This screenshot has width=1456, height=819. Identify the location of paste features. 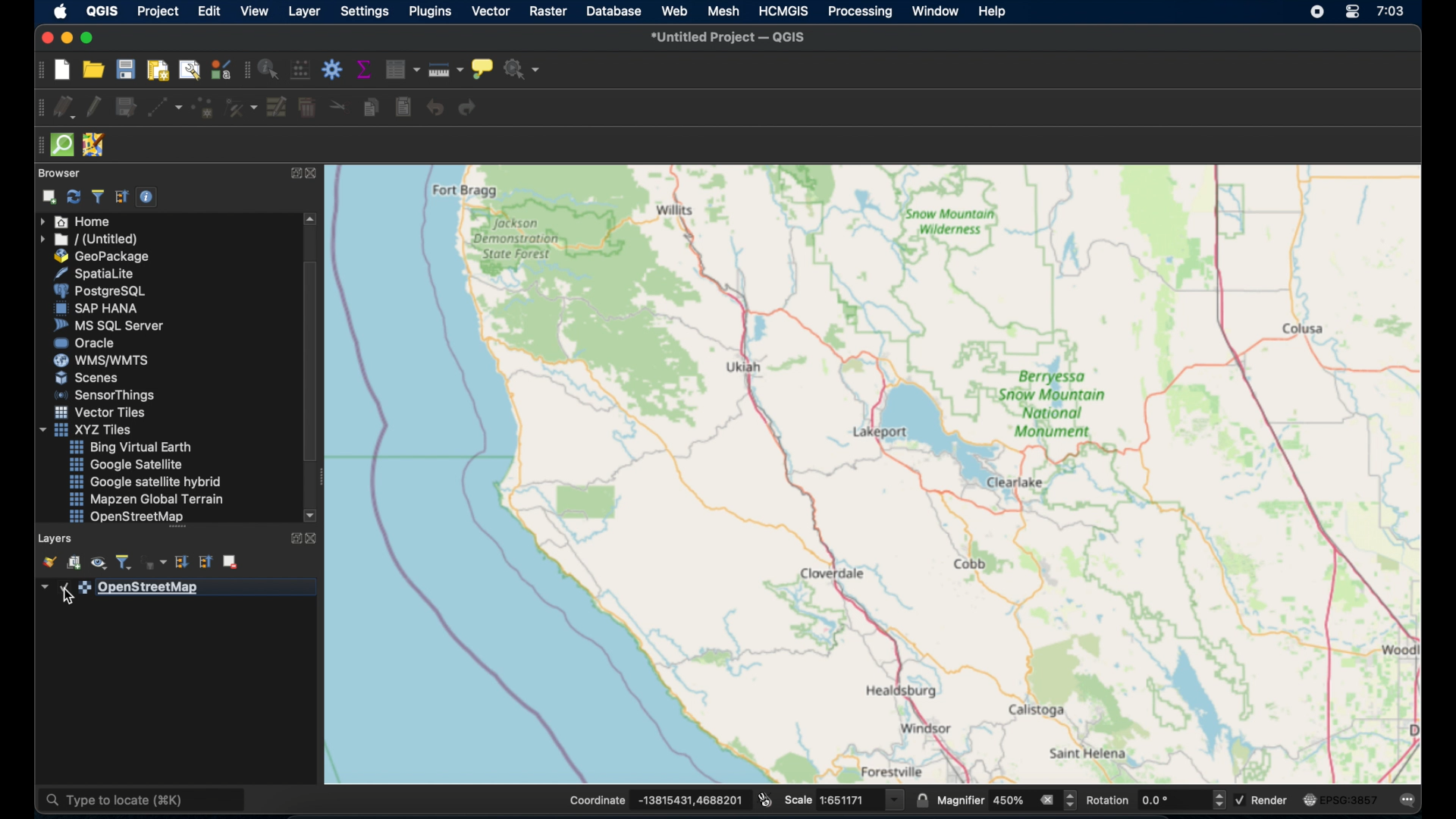
(403, 108).